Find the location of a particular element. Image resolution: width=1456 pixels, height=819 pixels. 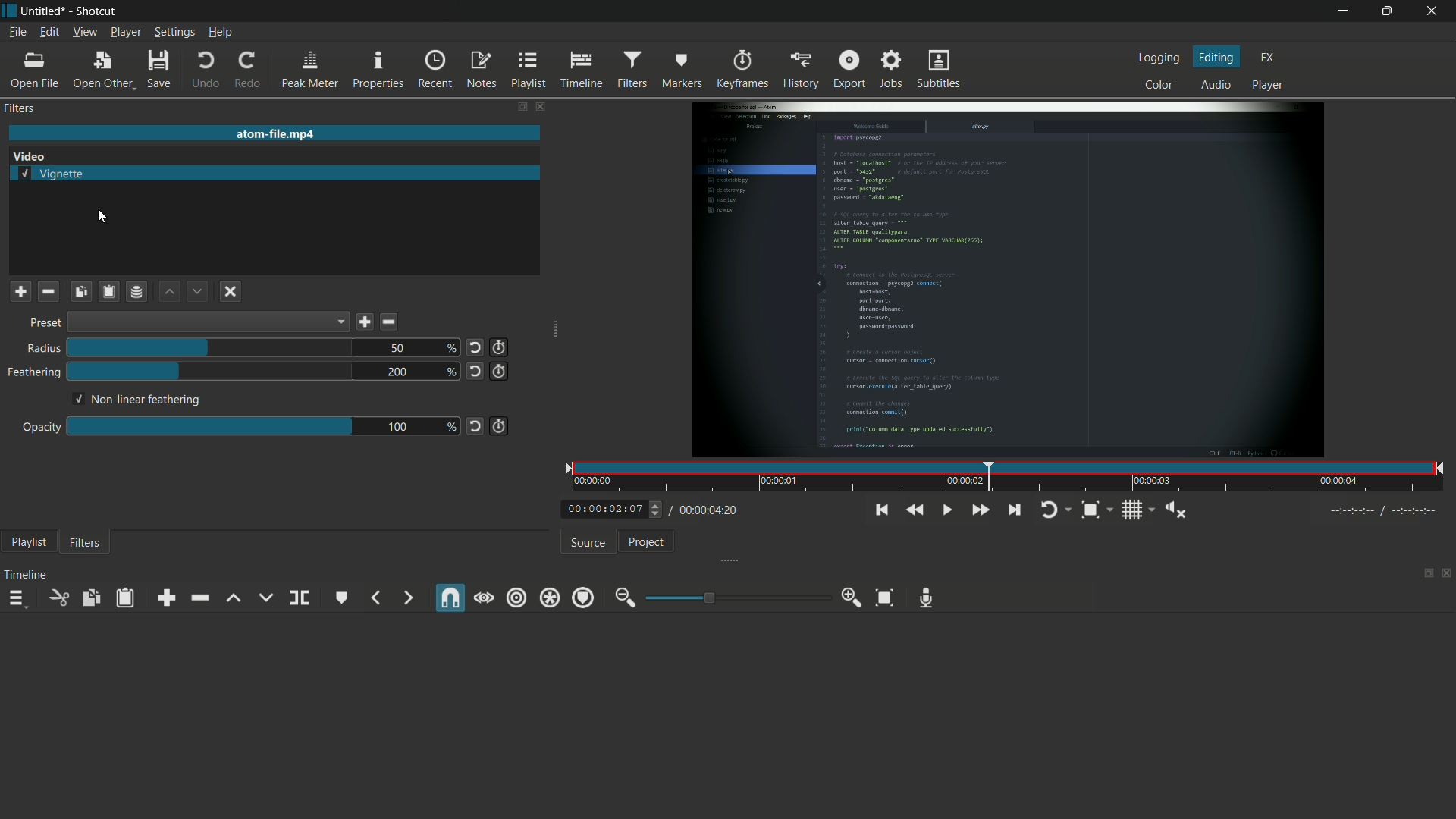

filters is located at coordinates (20, 108).